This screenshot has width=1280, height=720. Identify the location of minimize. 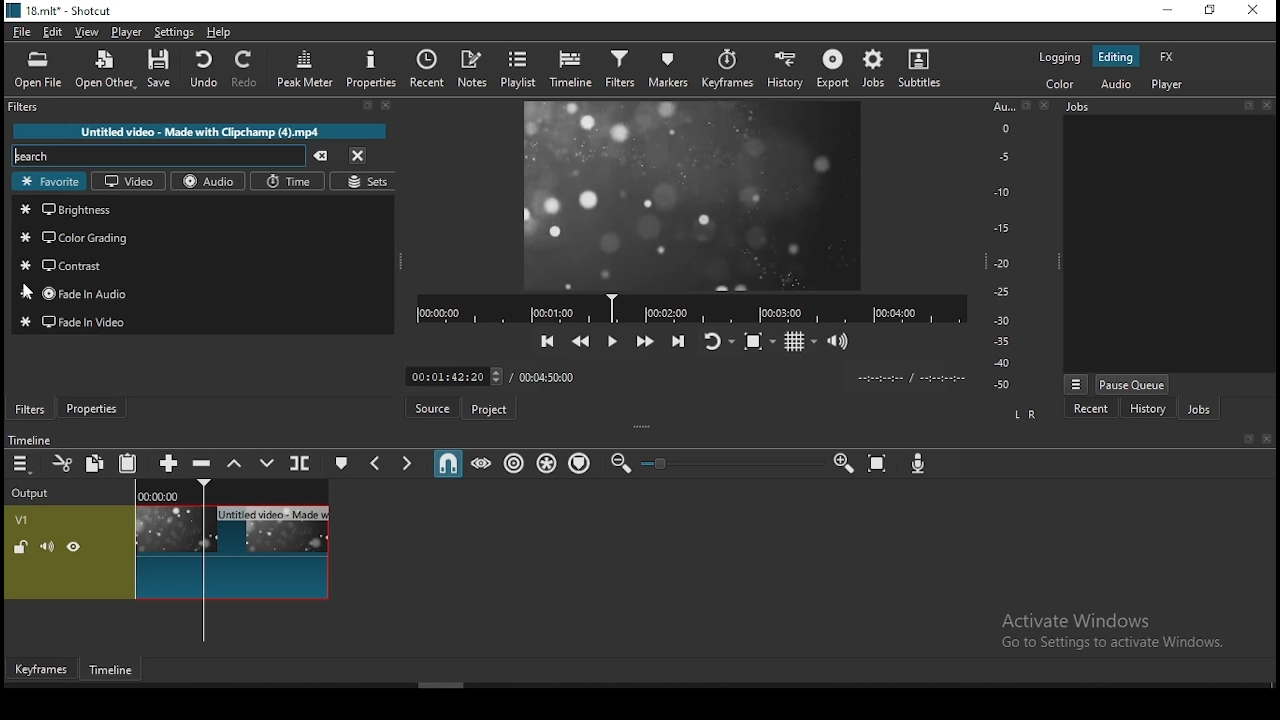
(1169, 12).